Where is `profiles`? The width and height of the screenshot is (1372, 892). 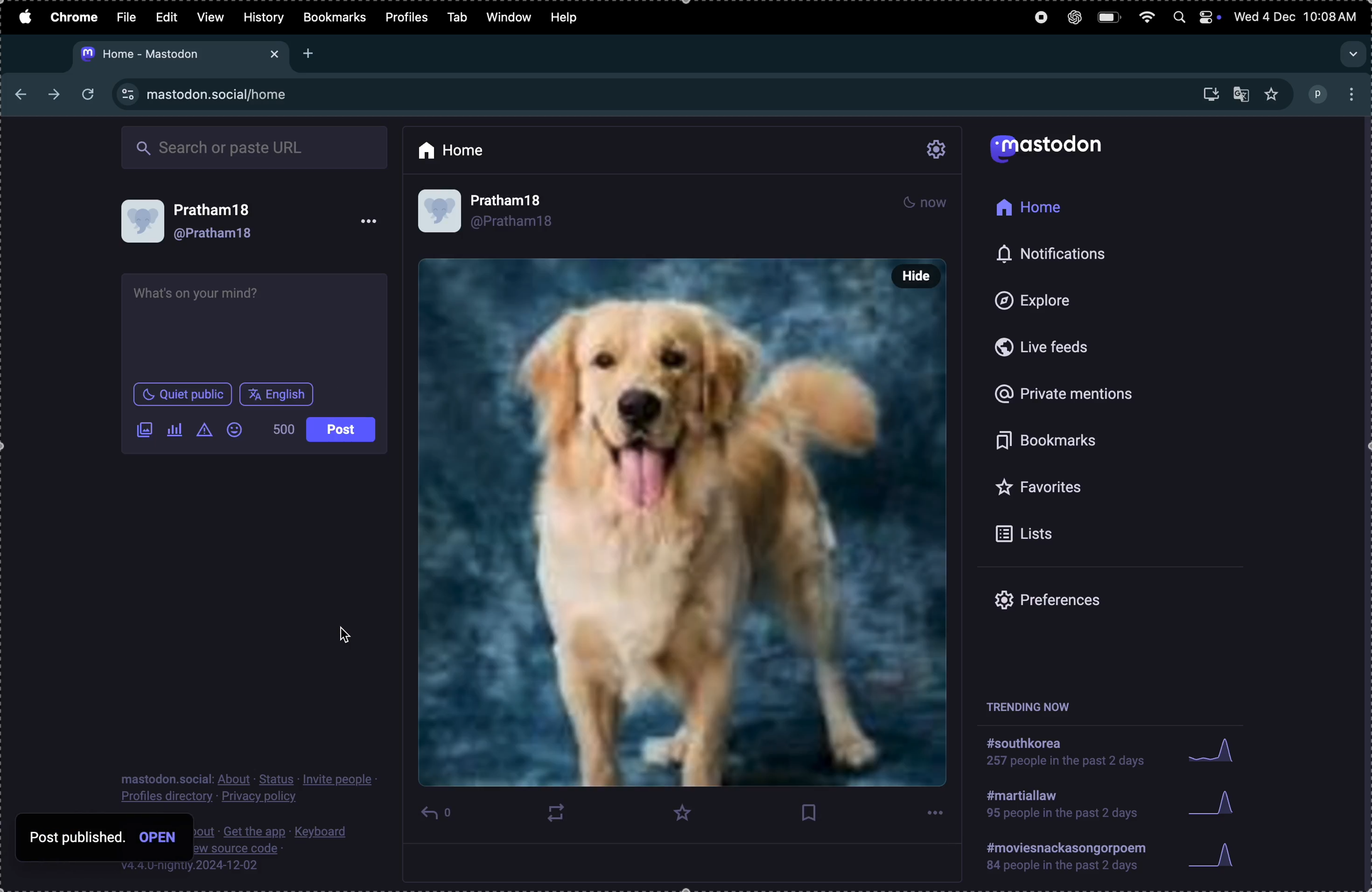 profiles is located at coordinates (406, 18).